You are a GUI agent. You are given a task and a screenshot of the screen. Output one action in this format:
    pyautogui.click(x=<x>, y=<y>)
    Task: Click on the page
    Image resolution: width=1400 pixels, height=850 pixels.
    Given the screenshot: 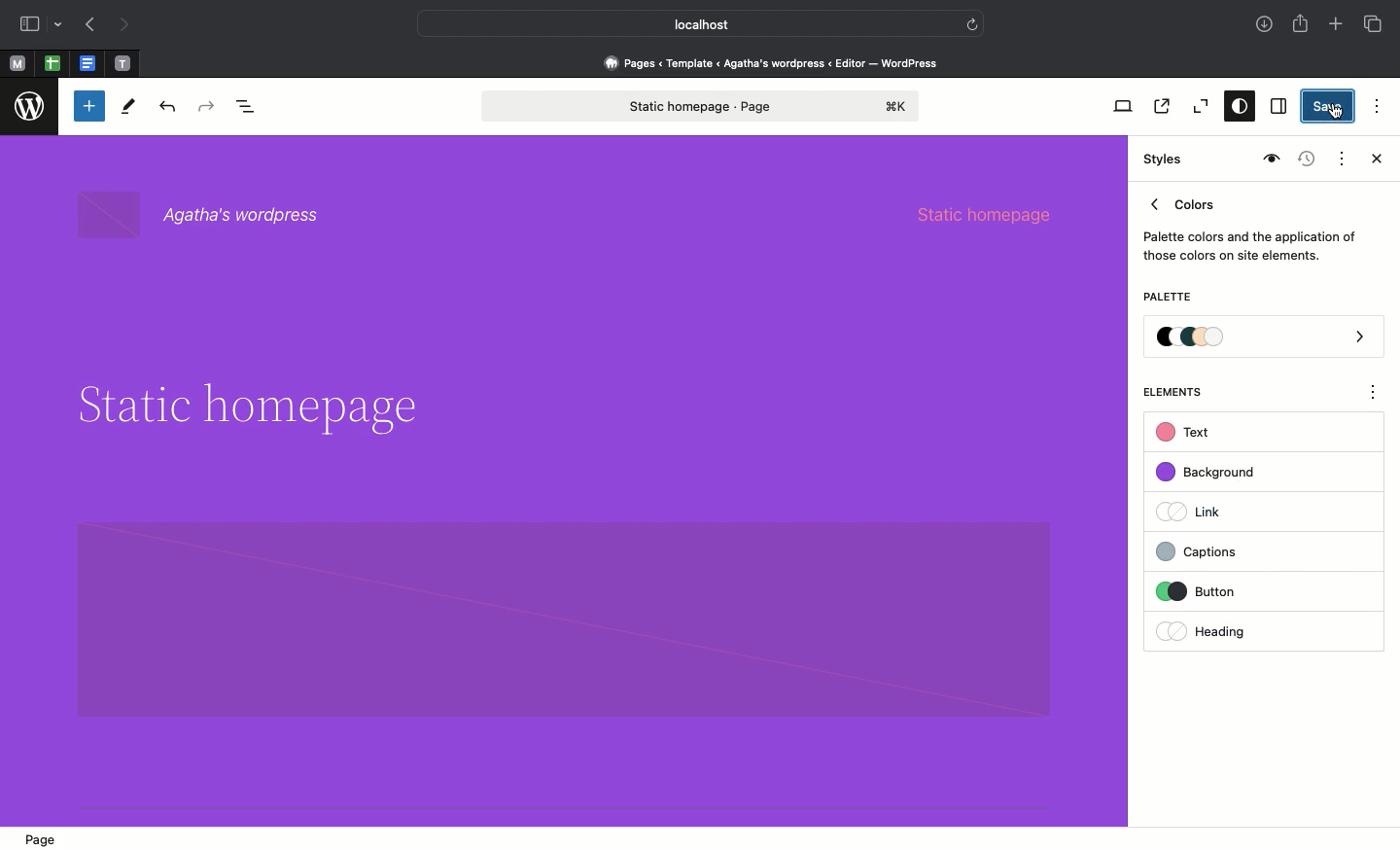 What is the action you would take?
    pyautogui.click(x=47, y=839)
    